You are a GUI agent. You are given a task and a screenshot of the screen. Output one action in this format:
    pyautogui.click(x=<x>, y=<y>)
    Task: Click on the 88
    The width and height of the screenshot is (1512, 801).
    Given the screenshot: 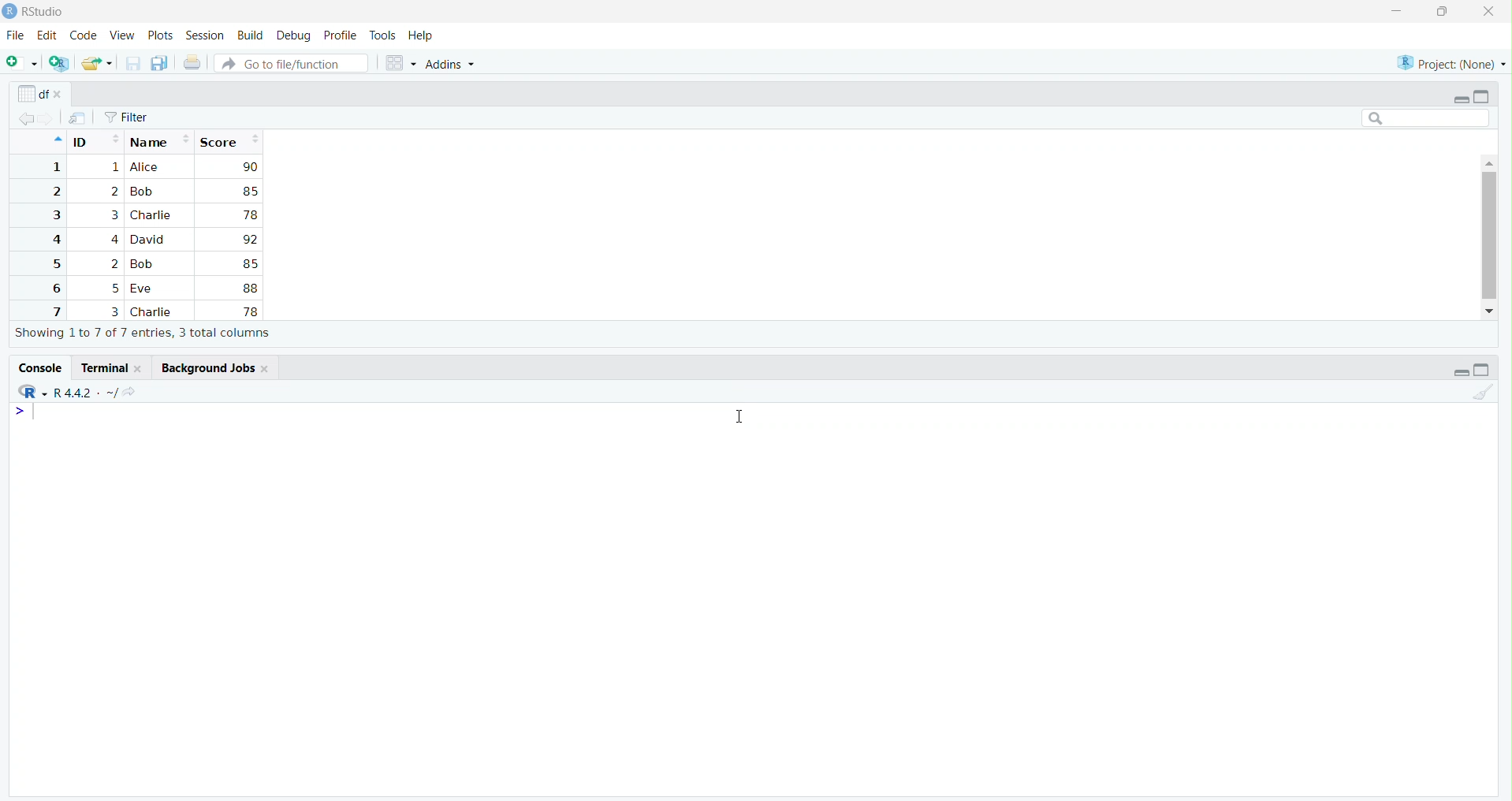 What is the action you would take?
    pyautogui.click(x=251, y=288)
    